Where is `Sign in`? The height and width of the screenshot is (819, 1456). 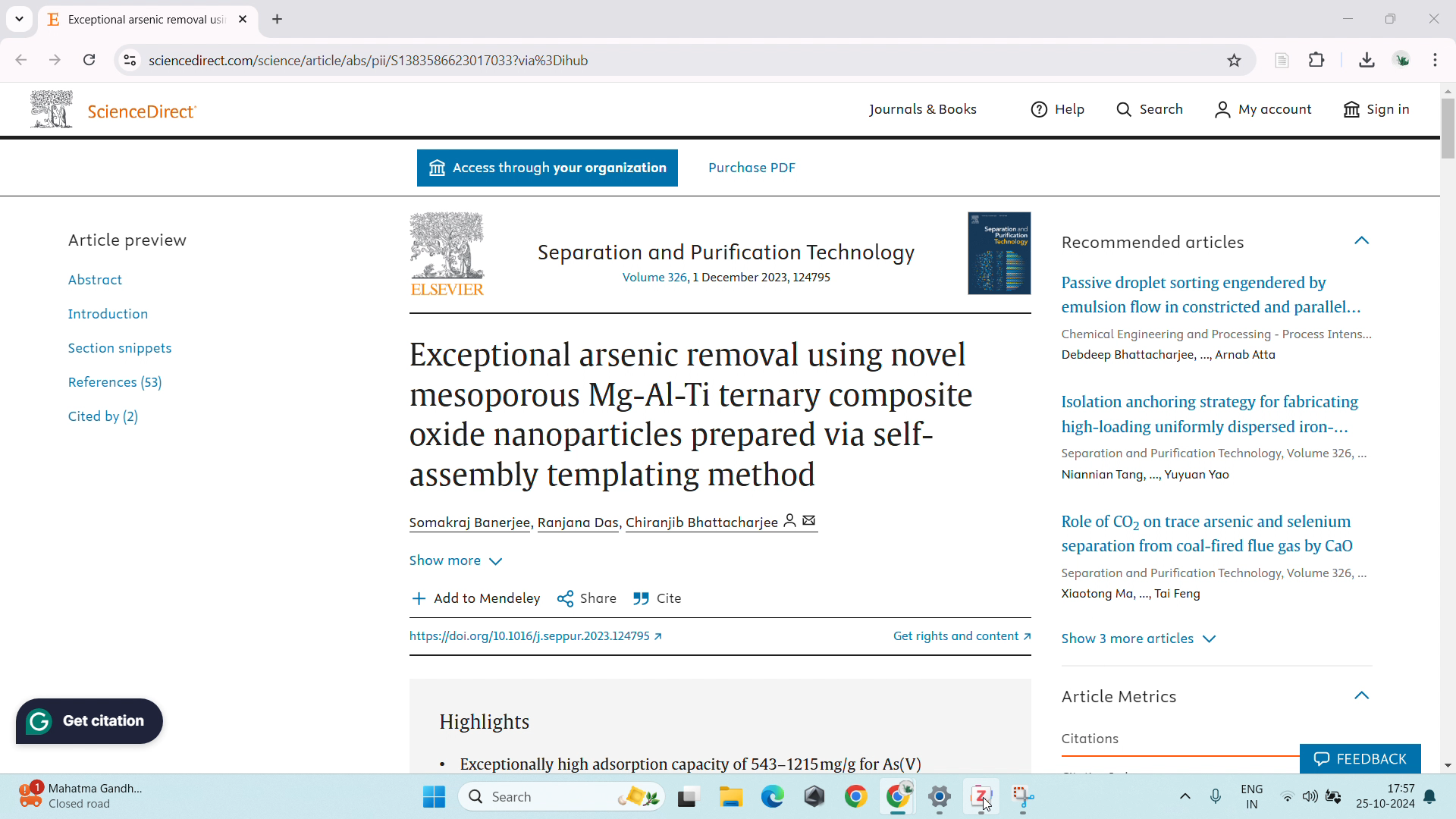 Sign in is located at coordinates (1373, 114).